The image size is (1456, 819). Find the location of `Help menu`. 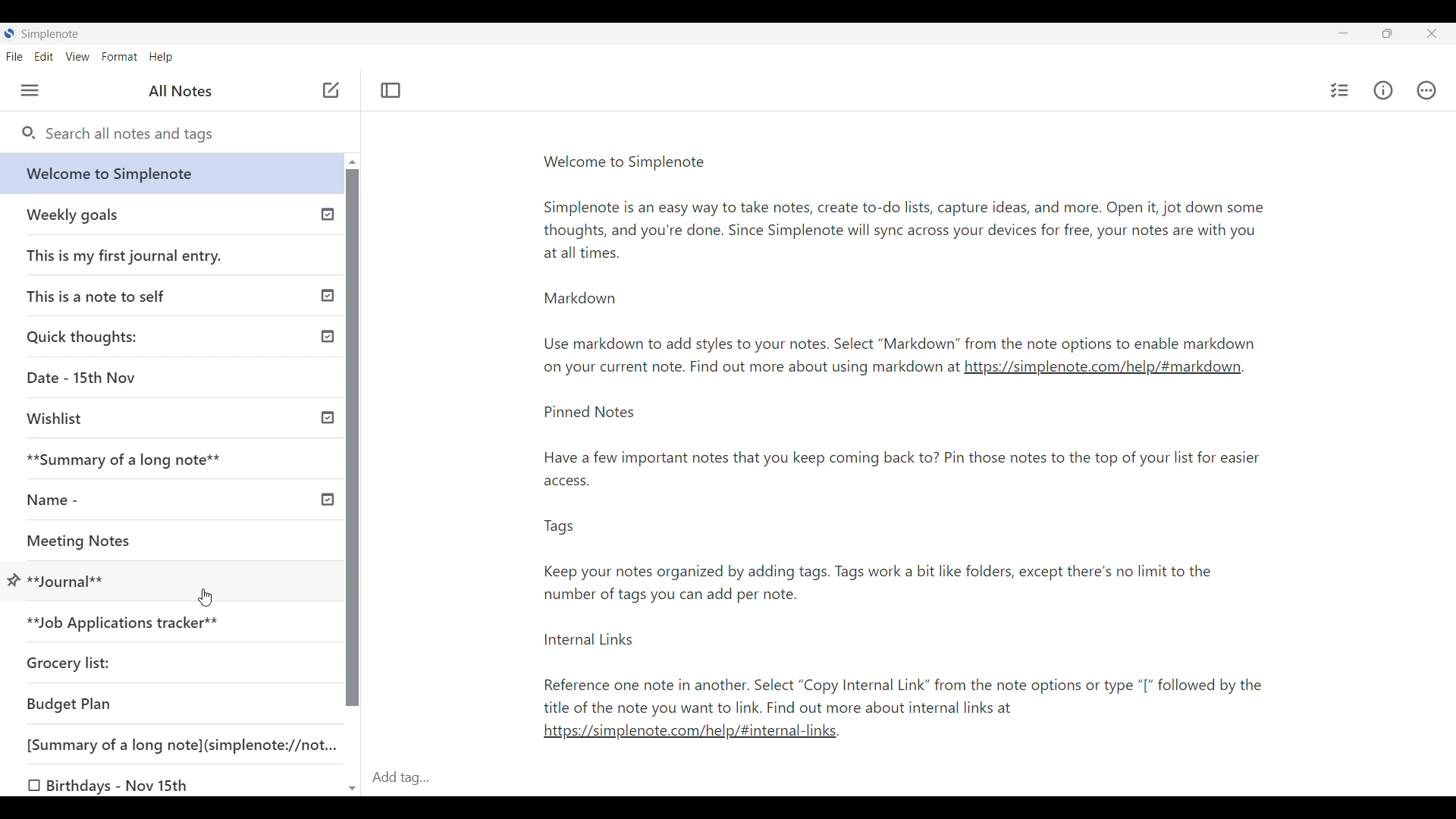

Help menu is located at coordinates (162, 58).